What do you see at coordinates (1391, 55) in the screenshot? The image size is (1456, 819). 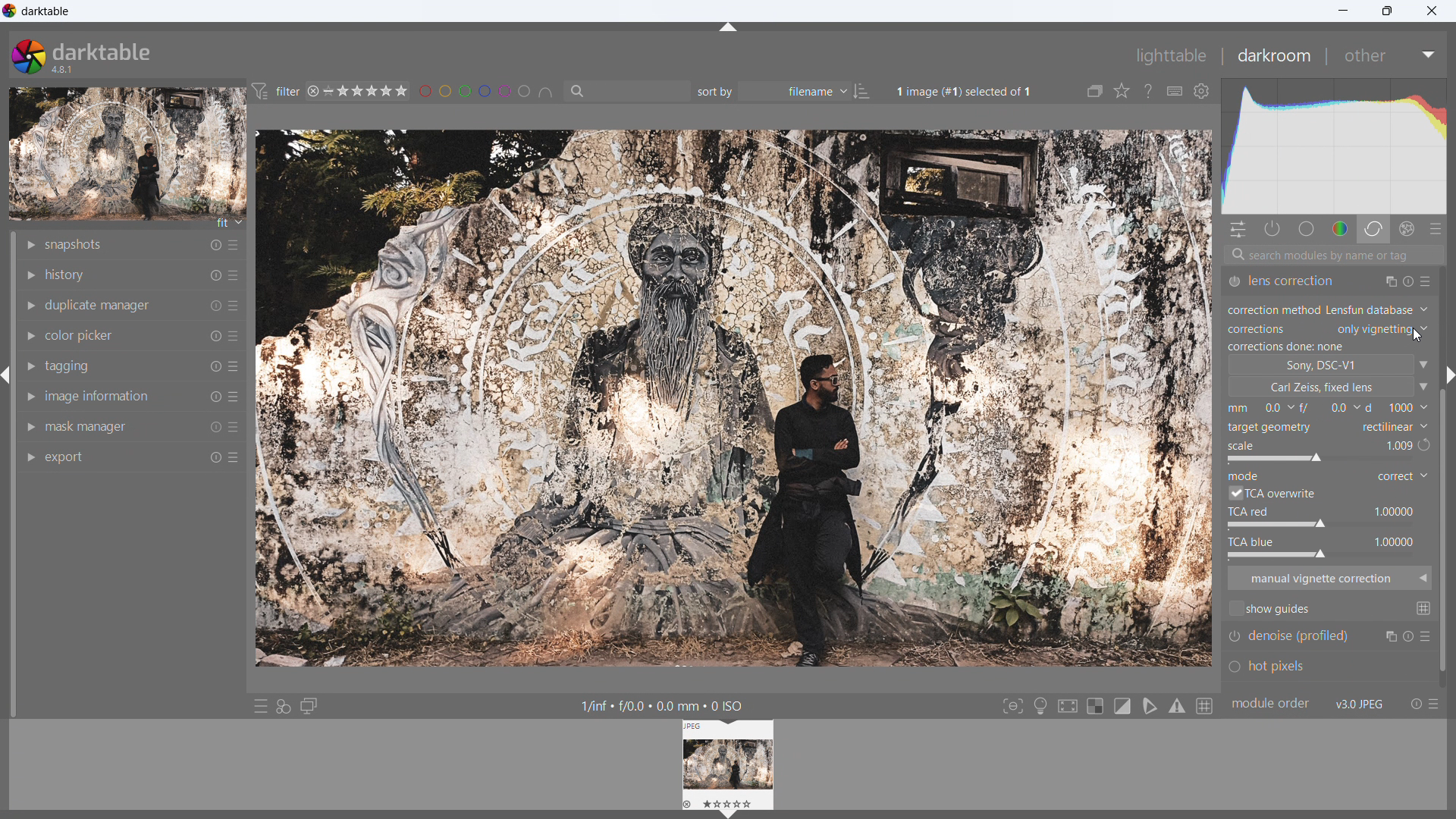 I see `other` at bounding box center [1391, 55].